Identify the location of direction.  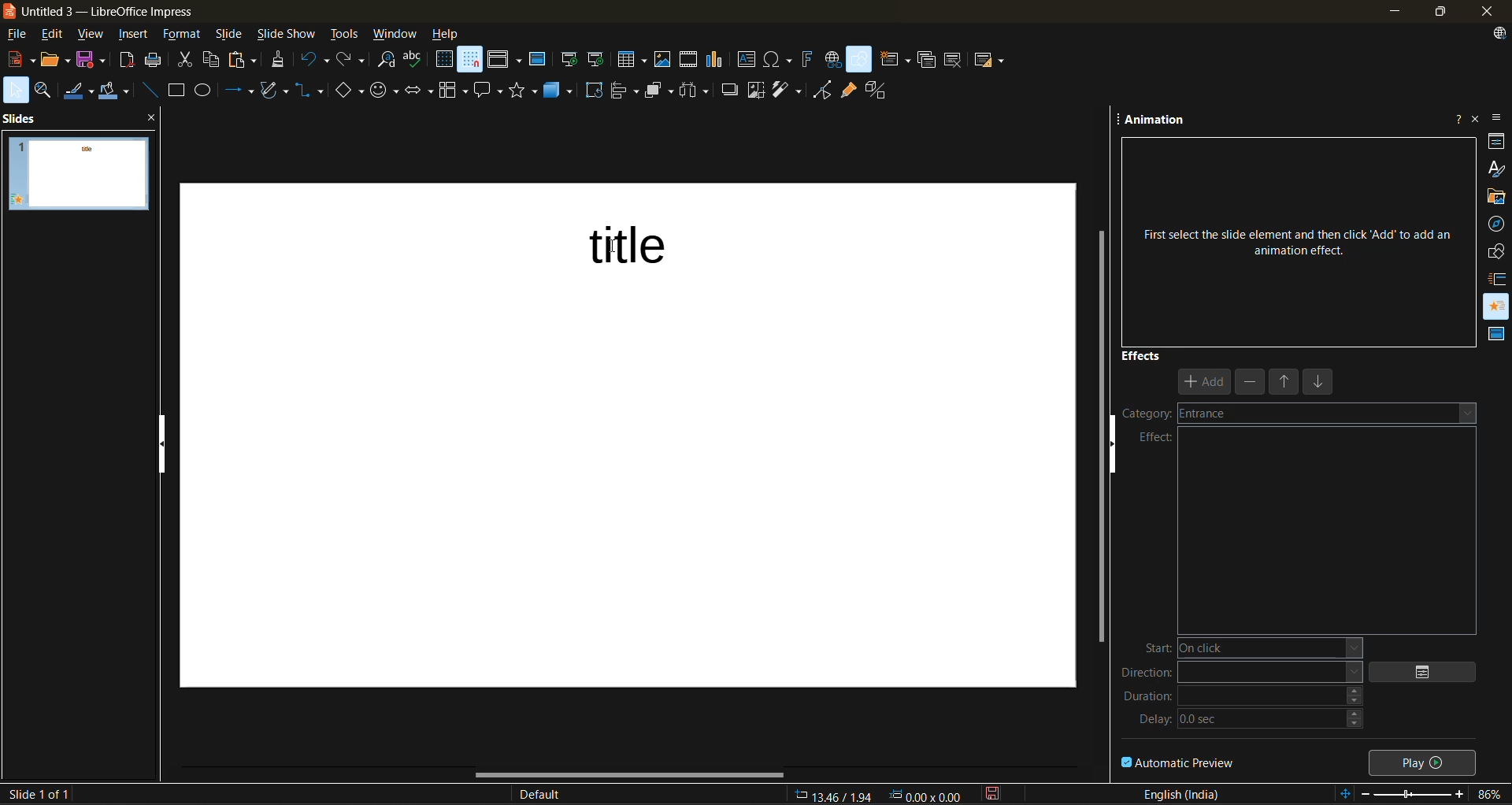
(1241, 675).